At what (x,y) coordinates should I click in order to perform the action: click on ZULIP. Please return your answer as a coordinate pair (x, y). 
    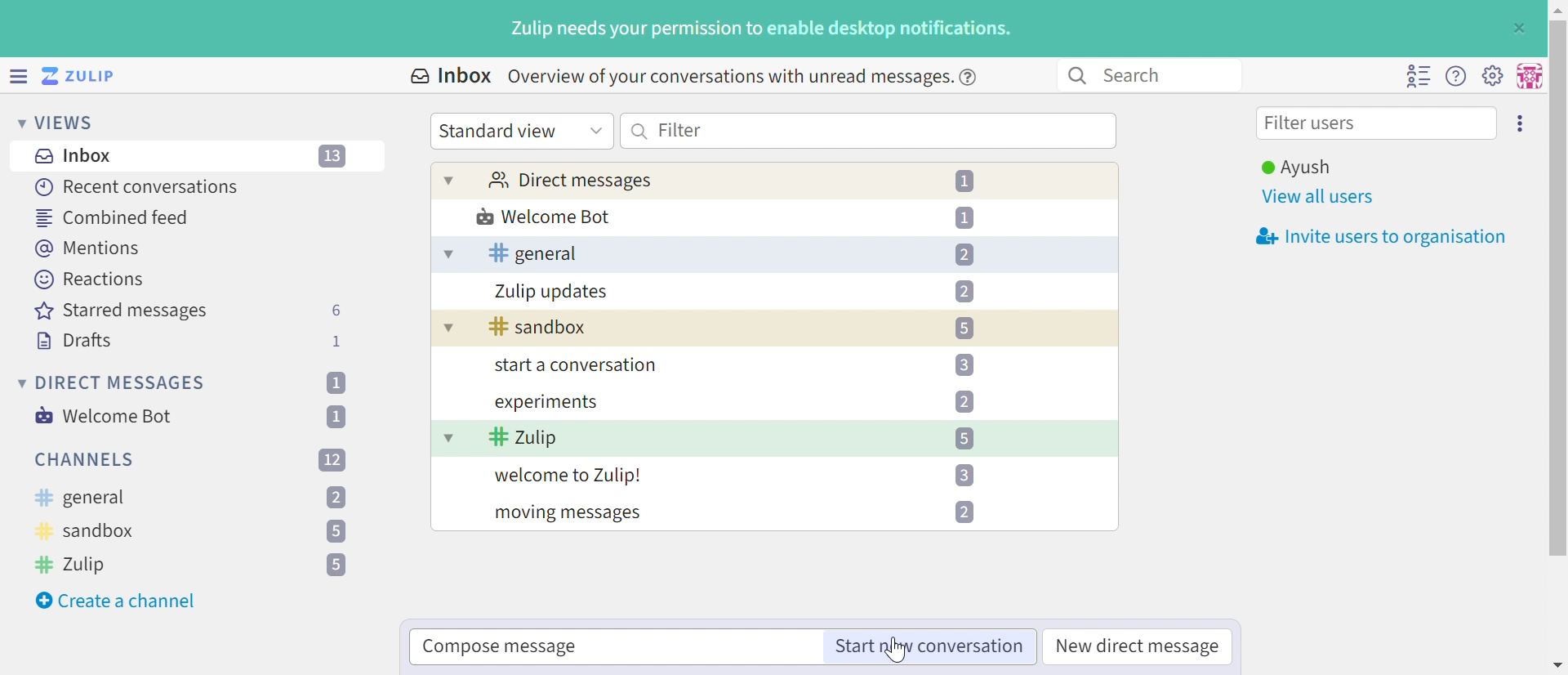
    Looking at the image, I should click on (89, 77).